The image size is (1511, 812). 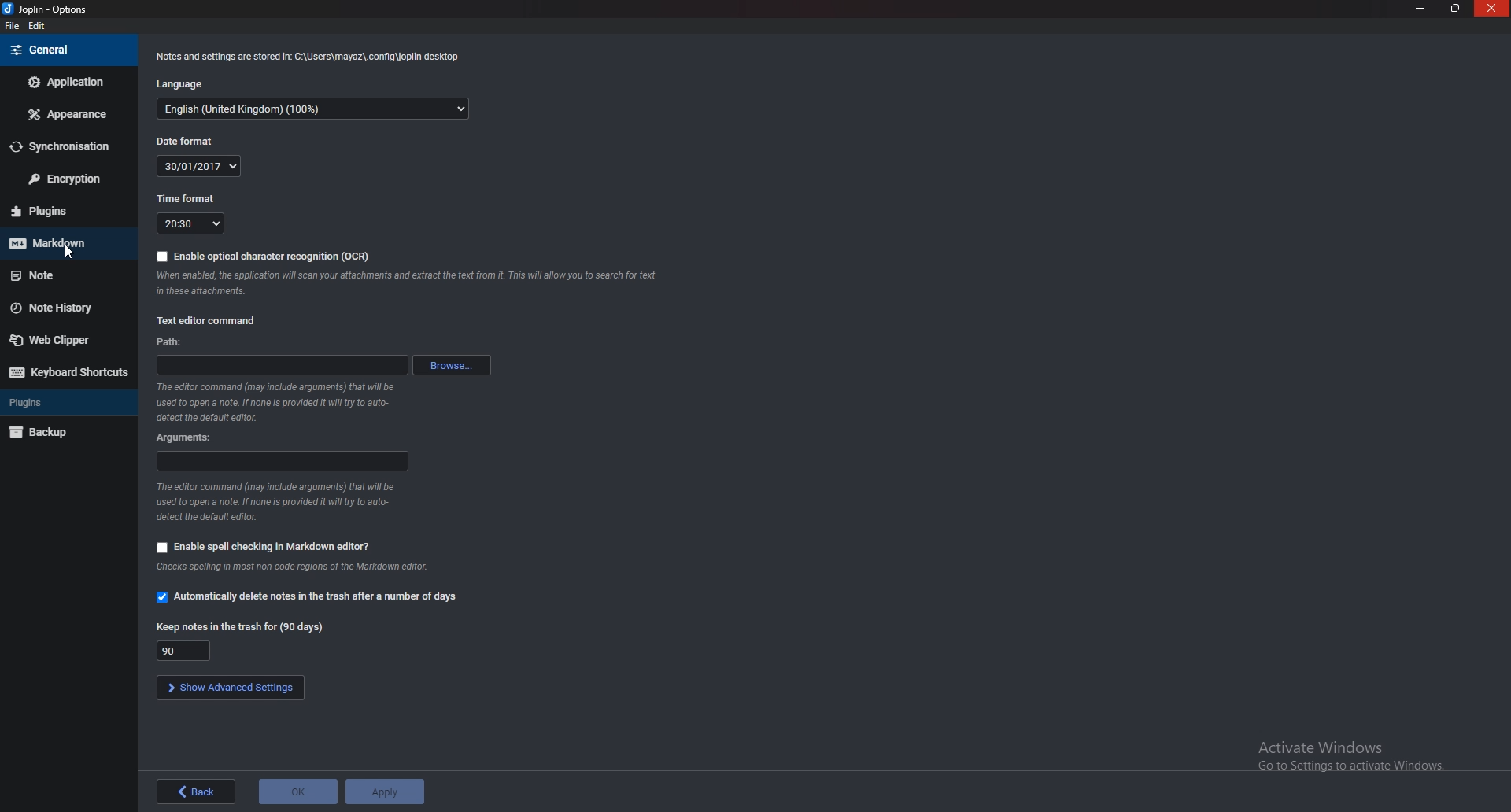 I want to click on file, so click(x=15, y=26).